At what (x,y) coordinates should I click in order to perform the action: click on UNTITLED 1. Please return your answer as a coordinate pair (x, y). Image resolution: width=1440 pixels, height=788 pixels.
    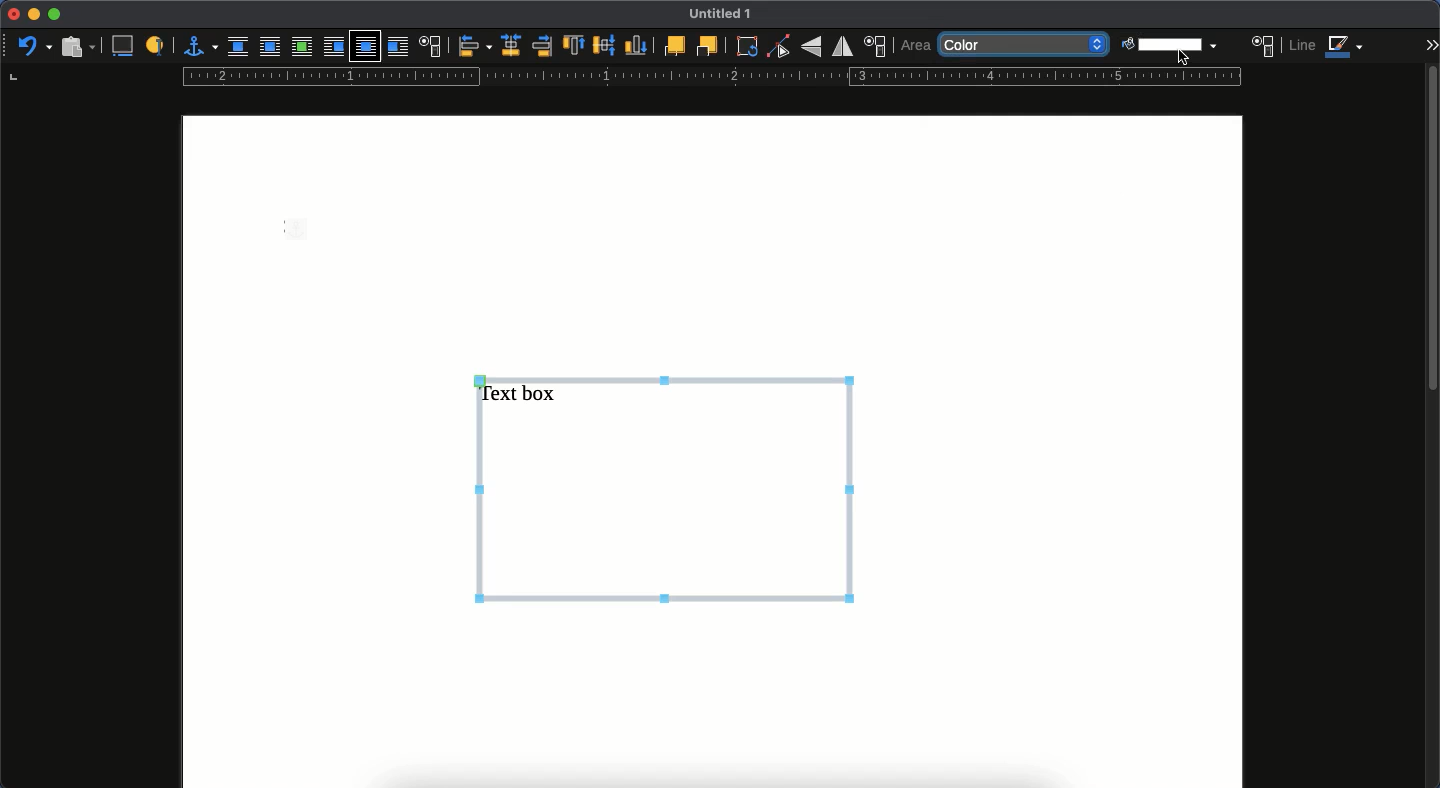
    Looking at the image, I should click on (728, 15).